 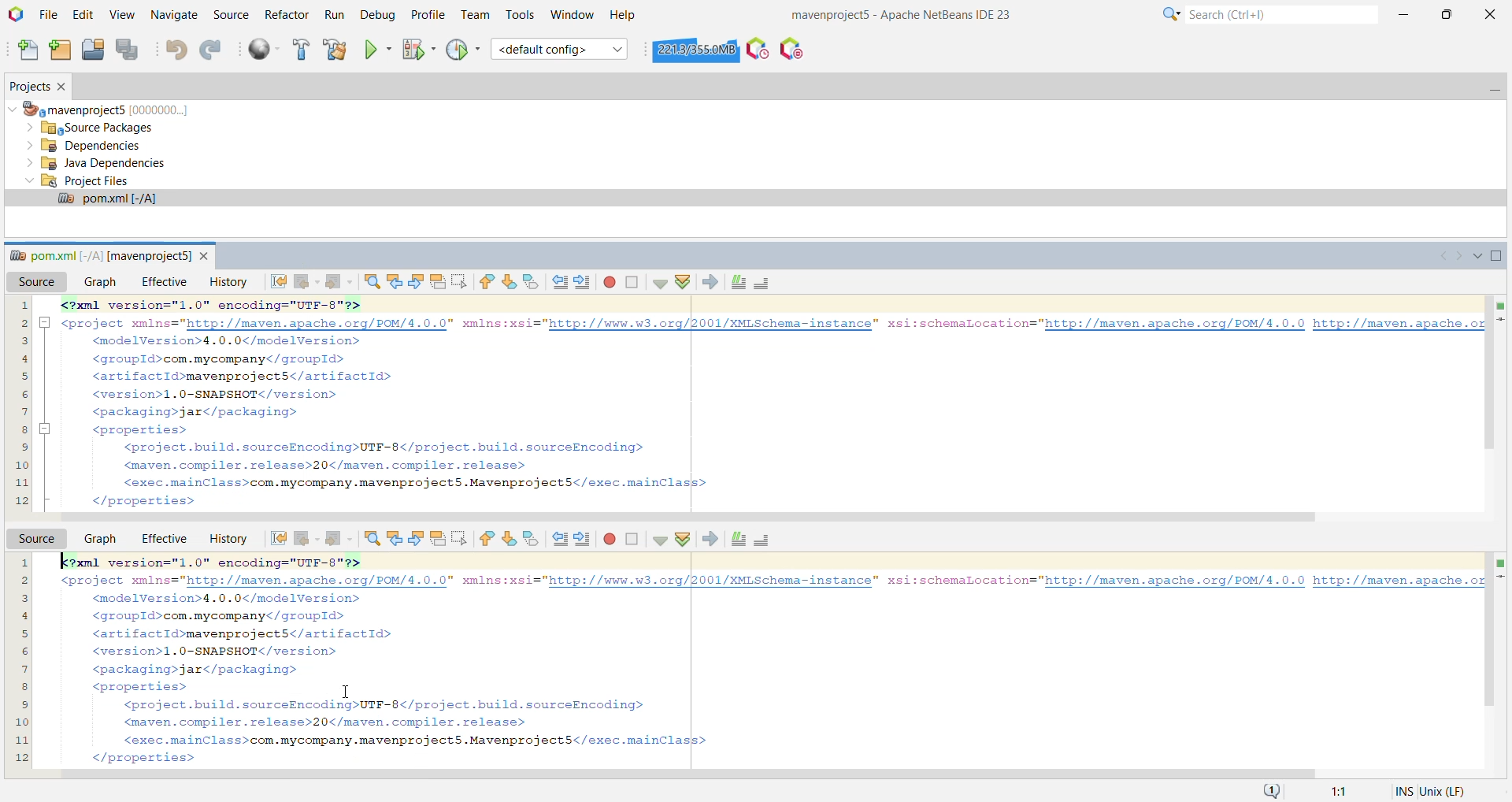 I want to click on Uncomment, so click(x=766, y=283).